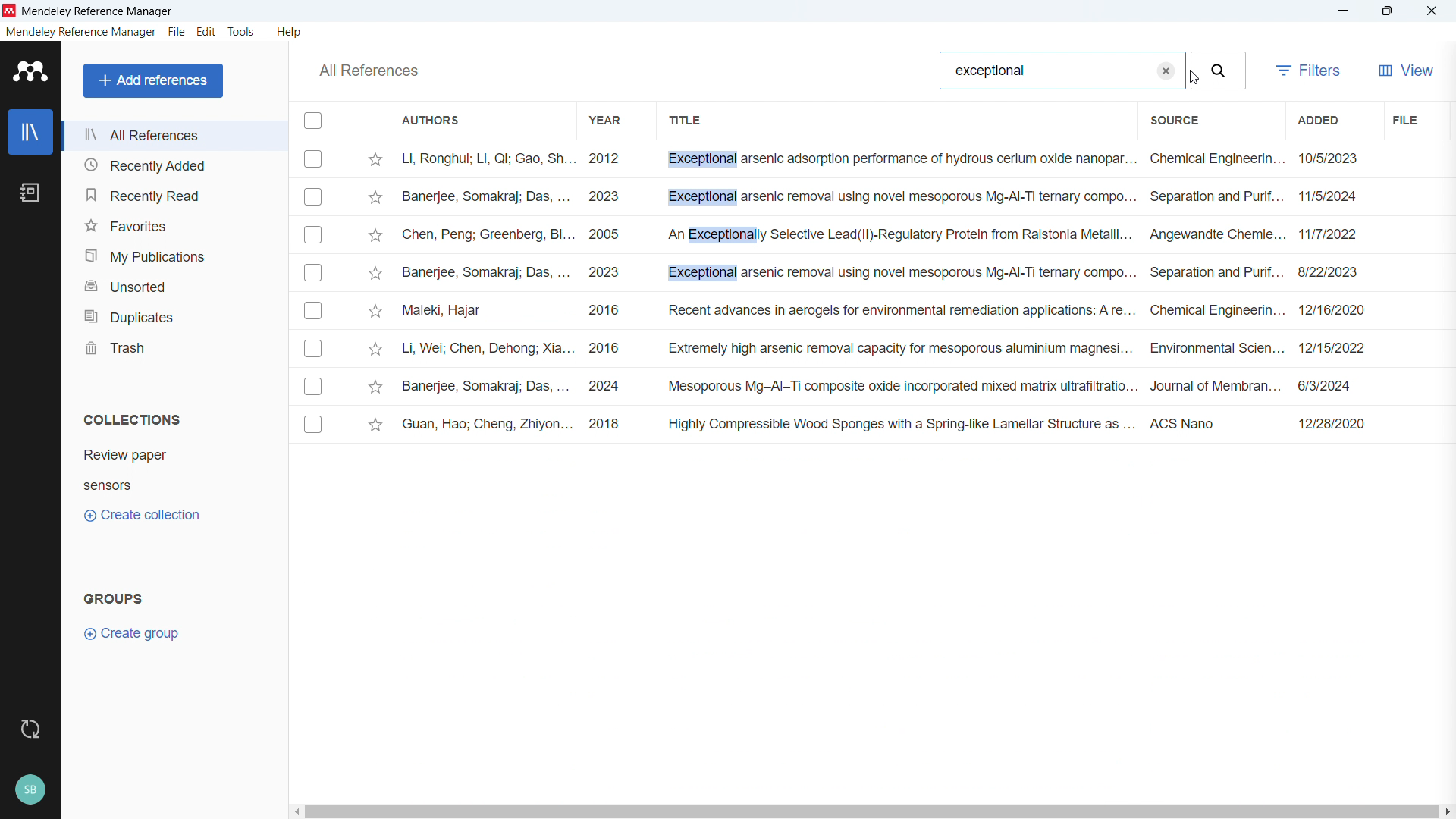 The height and width of the screenshot is (819, 1456). I want to click on Scroll left , so click(294, 812).